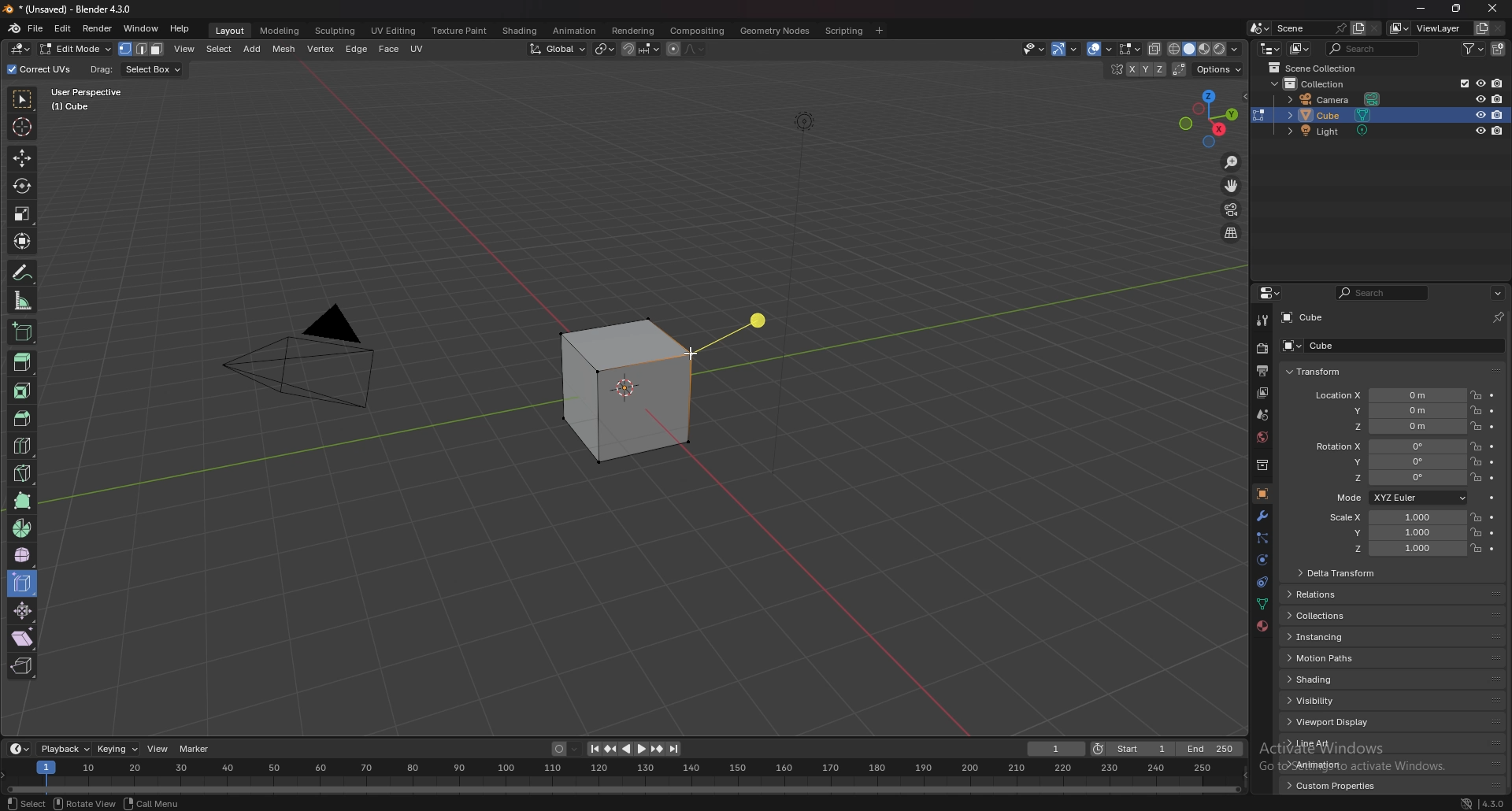 This screenshot has width=1512, height=811. Describe the element at coordinates (1384, 293) in the screenshot. I see `search` at that location.